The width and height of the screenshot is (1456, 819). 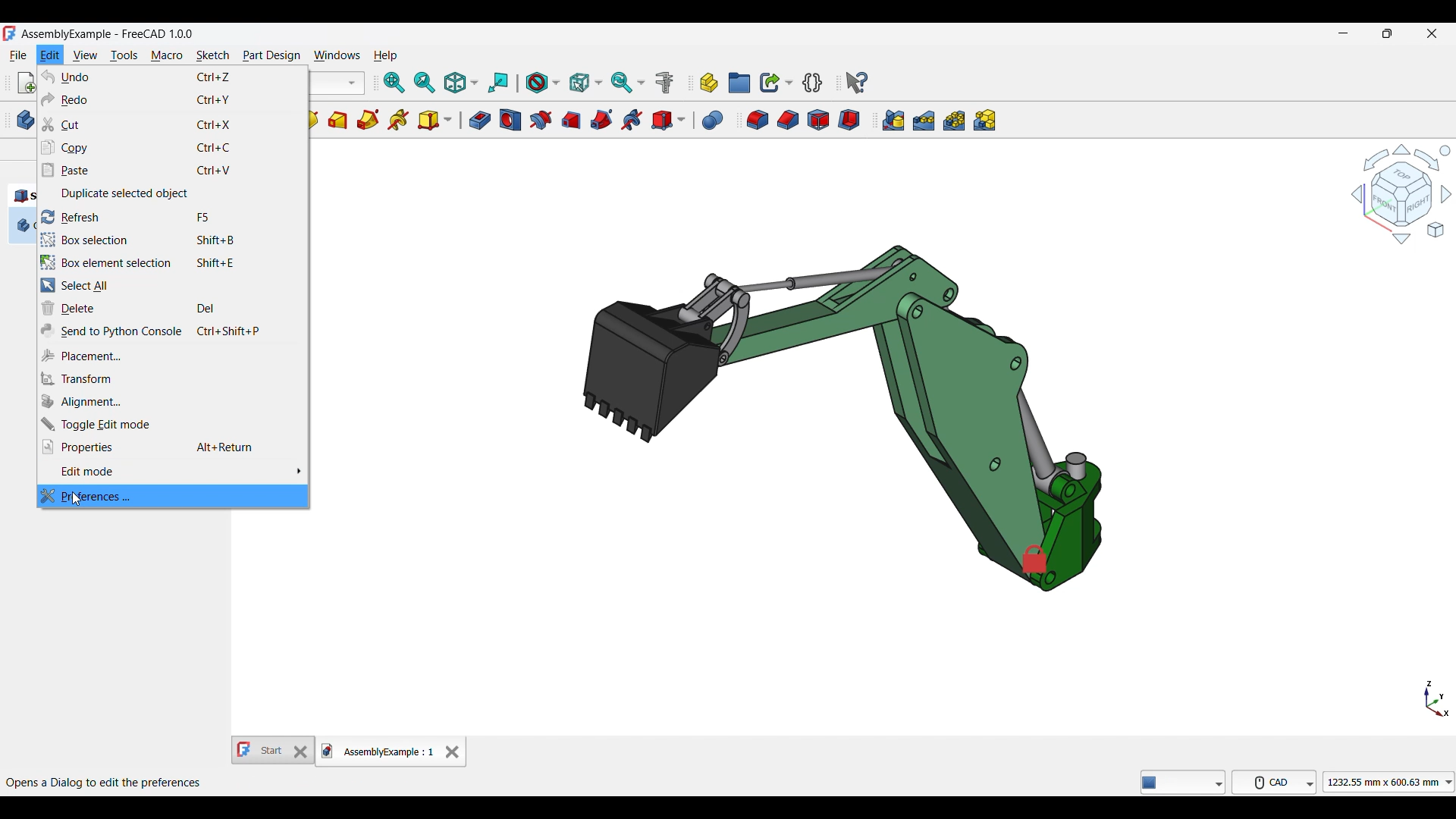 What do you see at coordinates (173, 193) in the screenshot?
I see `Duplicate selected object` at bounding box center [173, 193].